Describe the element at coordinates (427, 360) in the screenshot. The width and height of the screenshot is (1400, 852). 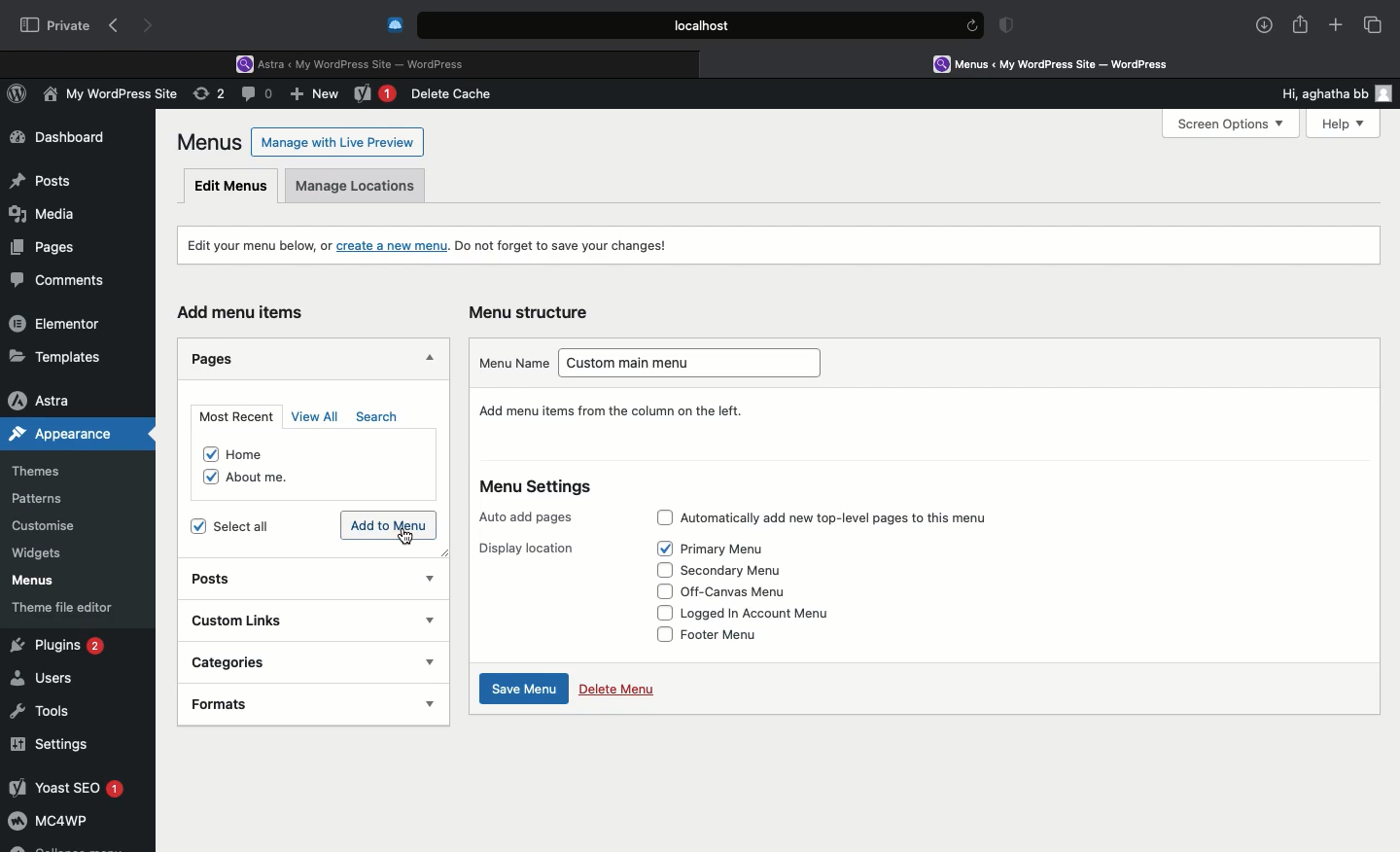
I see `Hide` at that location.